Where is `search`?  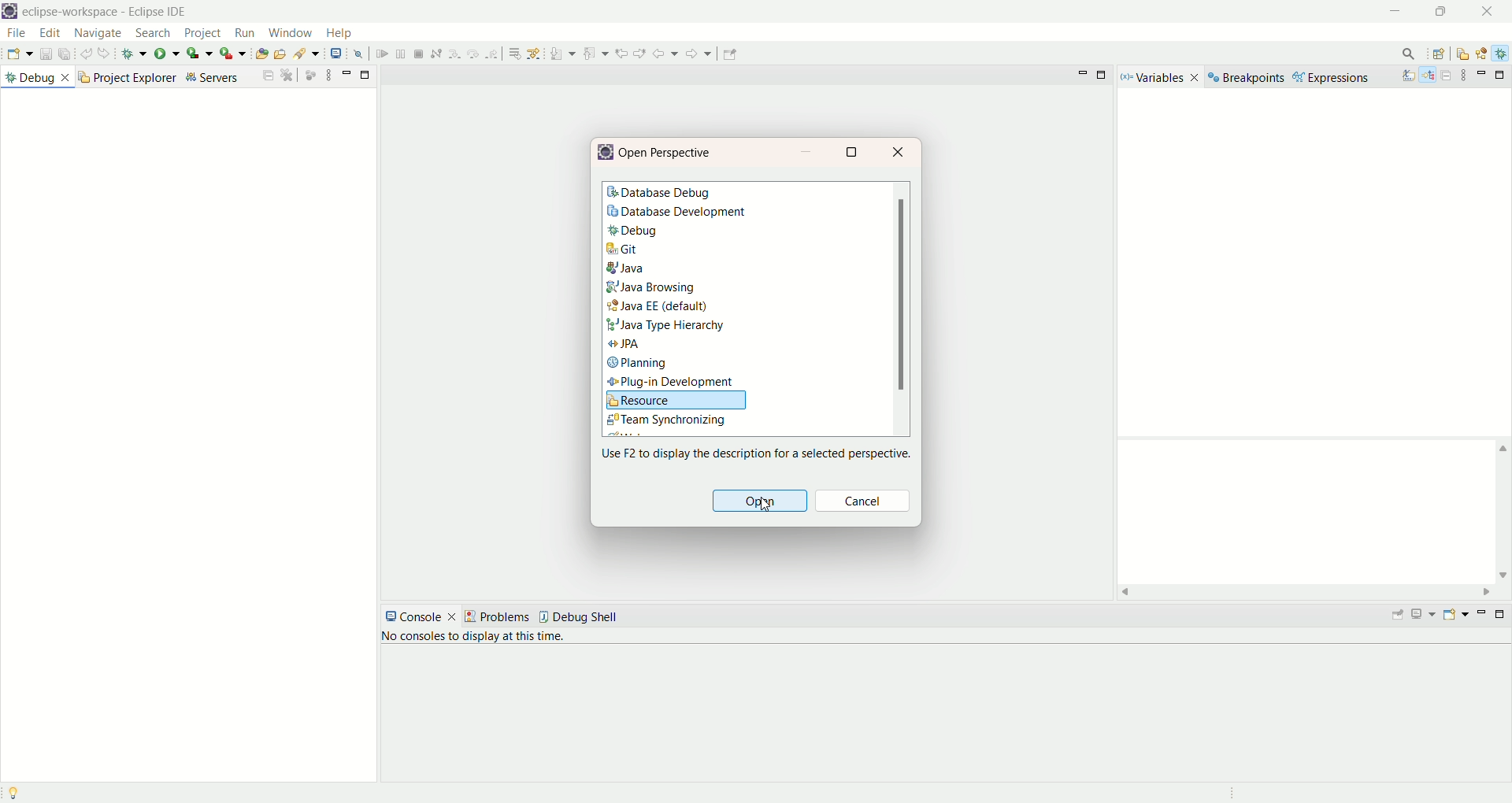 search is located at coordinates (1406, 53).